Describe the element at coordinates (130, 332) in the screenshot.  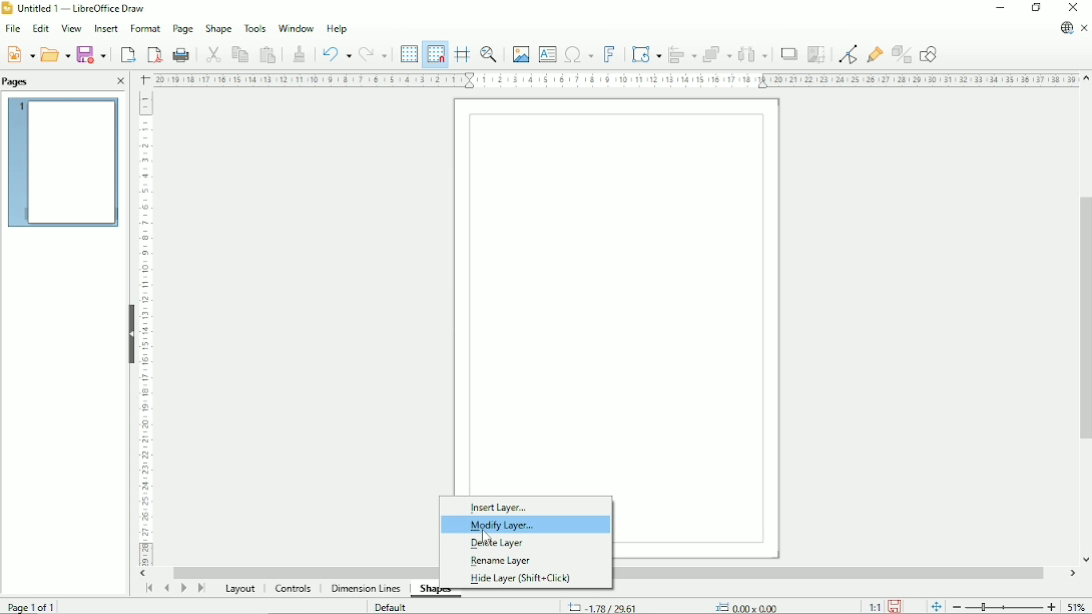
I see `Hide` at that location.